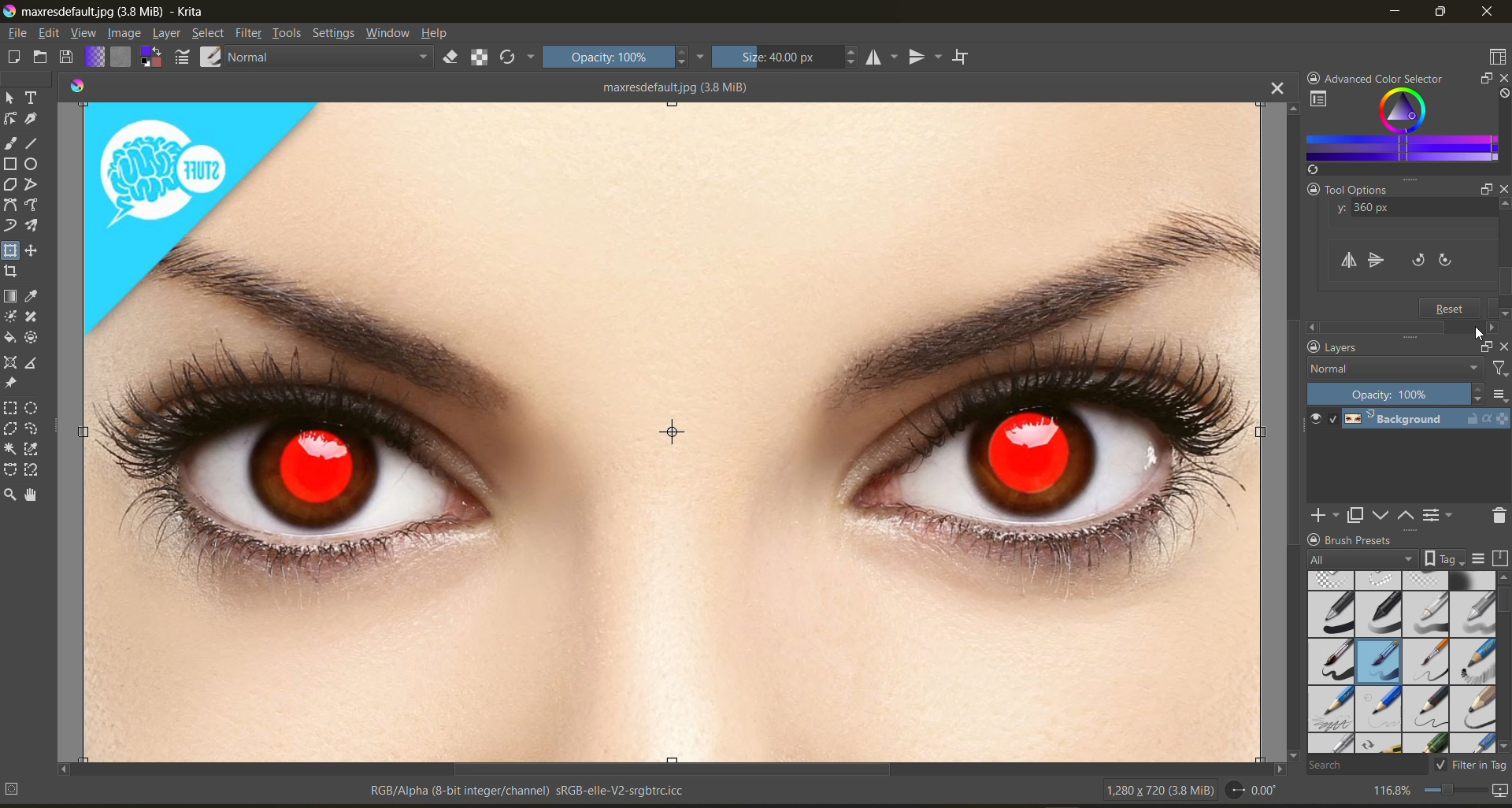 The image size is (1512, 808). Describe the element at coordinates (69, 57) in the screenshot. I see `save` at that location.